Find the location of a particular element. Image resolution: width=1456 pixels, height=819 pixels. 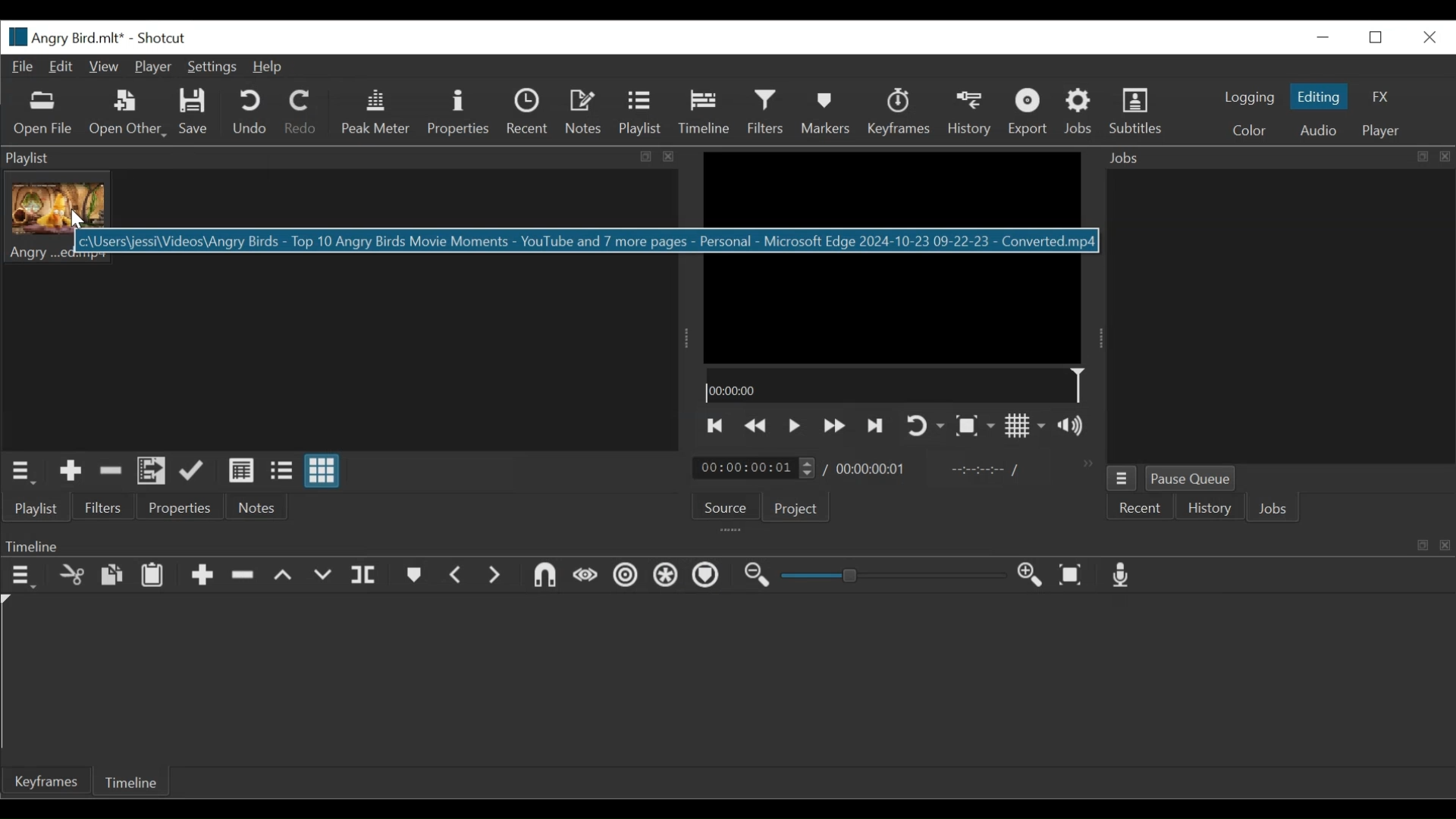

View as file is located at coordinates (281, 471).